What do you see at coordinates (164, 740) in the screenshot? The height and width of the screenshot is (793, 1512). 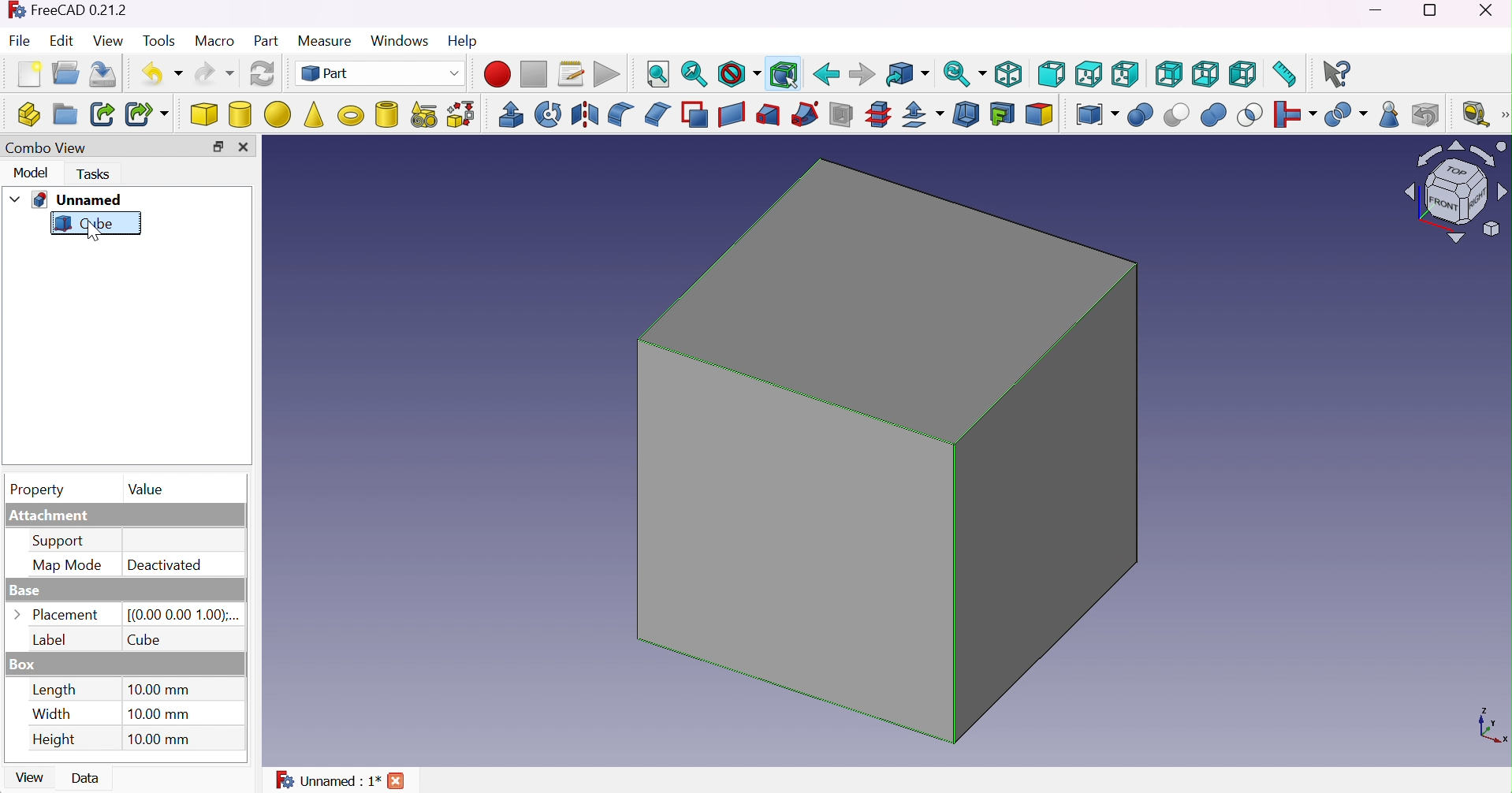 I see `10.00 mm` at bounding box center [164, 740].